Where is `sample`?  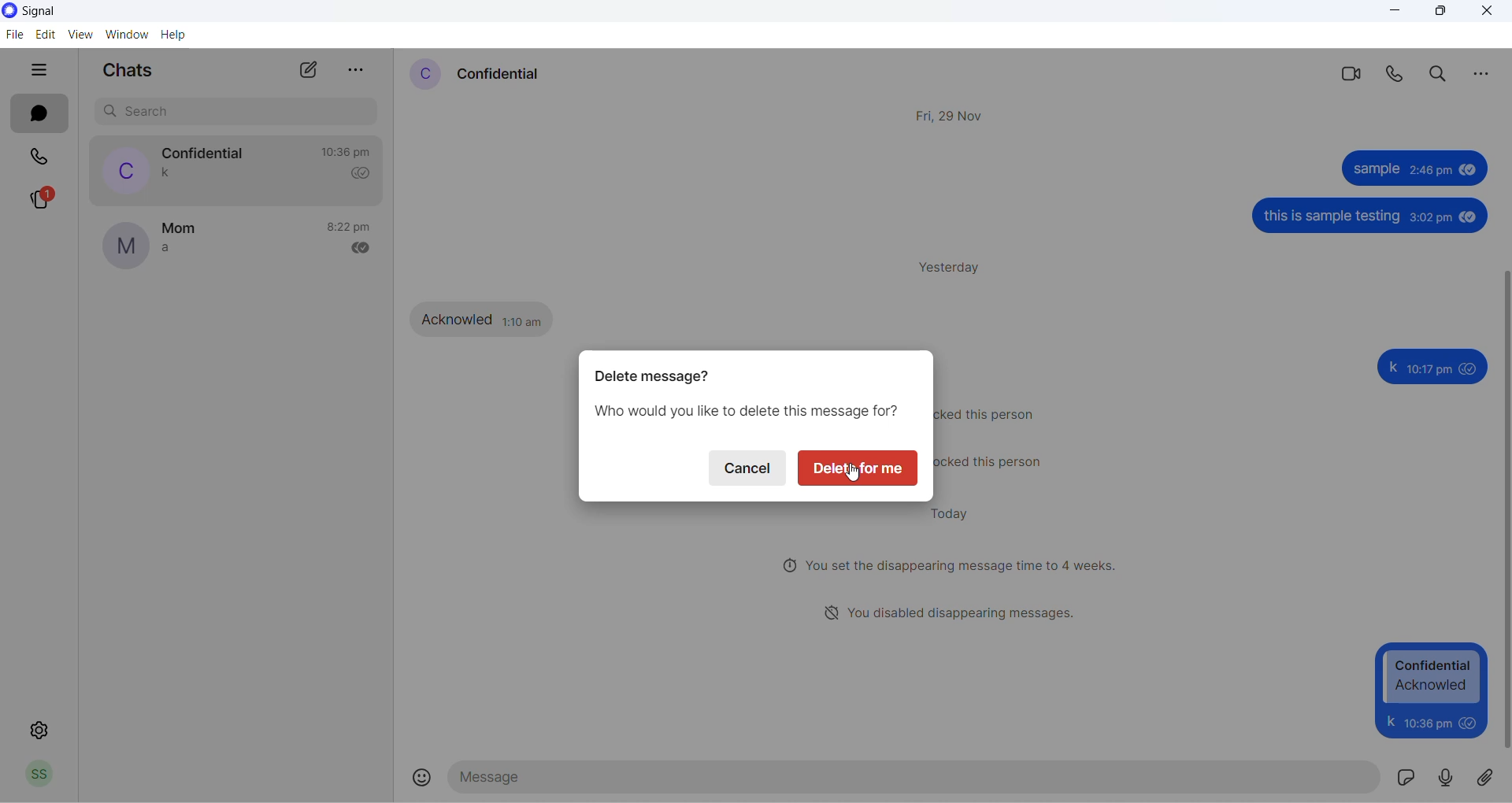
sample is located at coordinates (1375, 169).